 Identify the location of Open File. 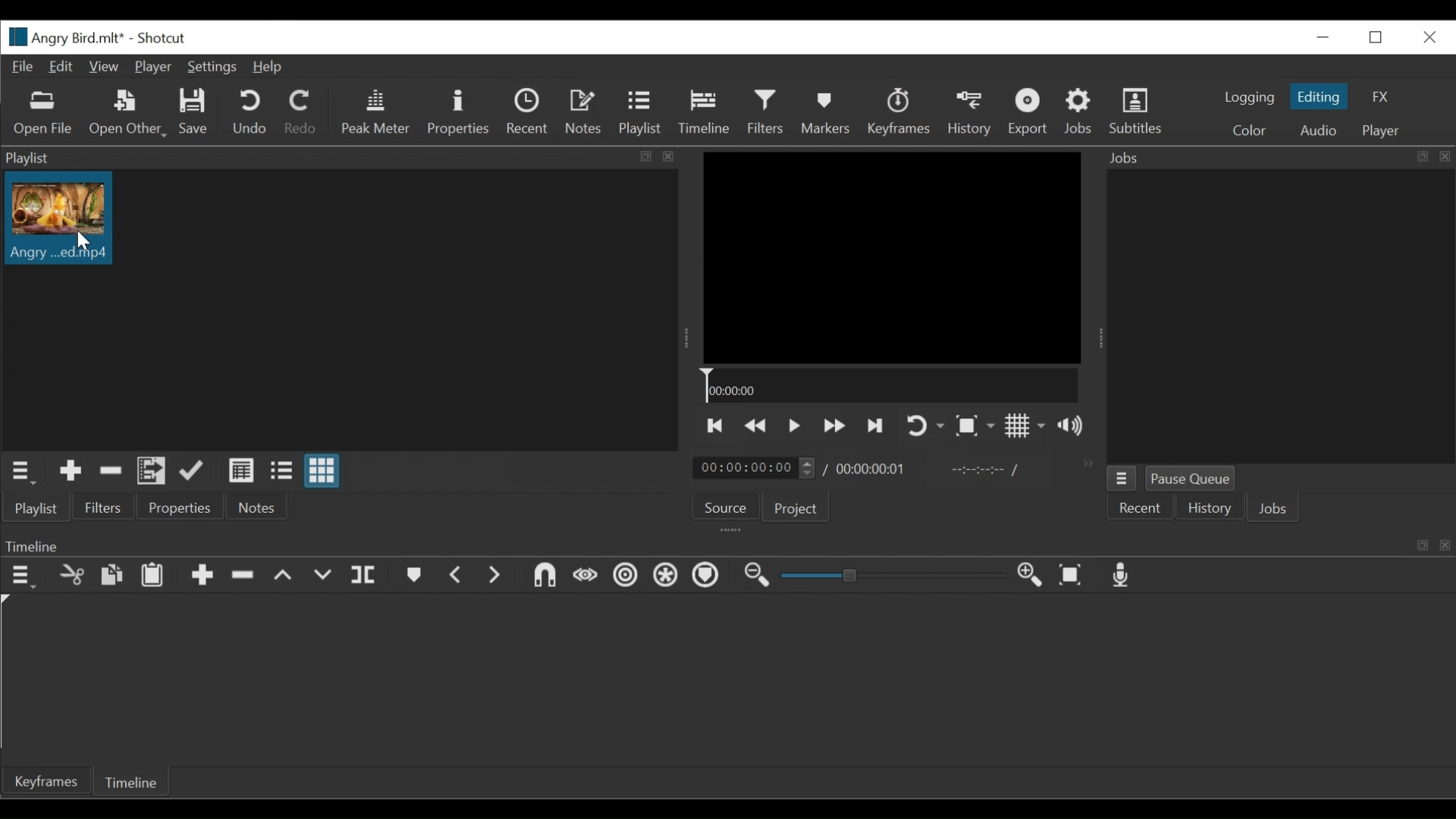
(42, 114).